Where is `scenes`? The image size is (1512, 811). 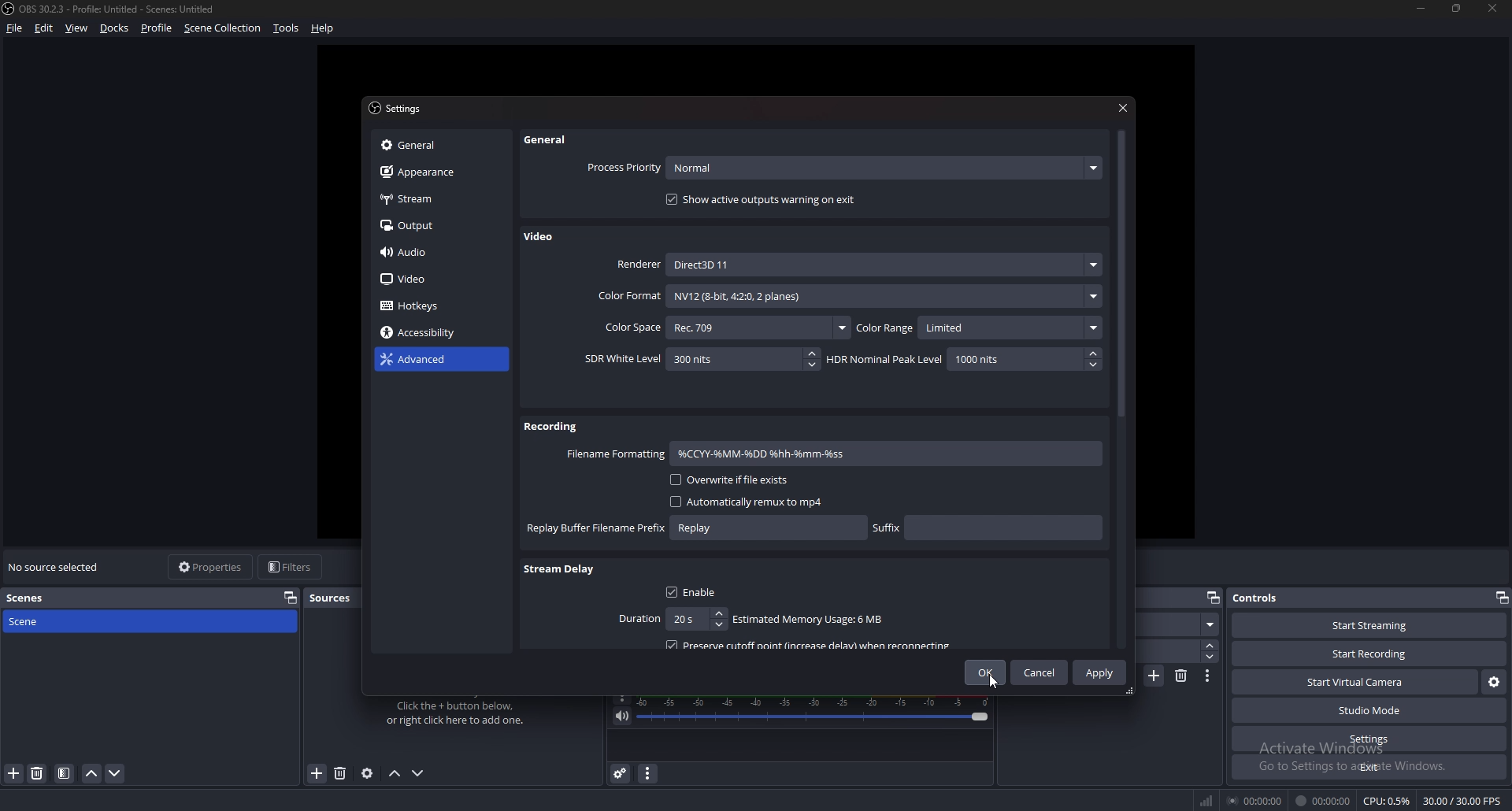 scenes is located at coordinates (31, 598).